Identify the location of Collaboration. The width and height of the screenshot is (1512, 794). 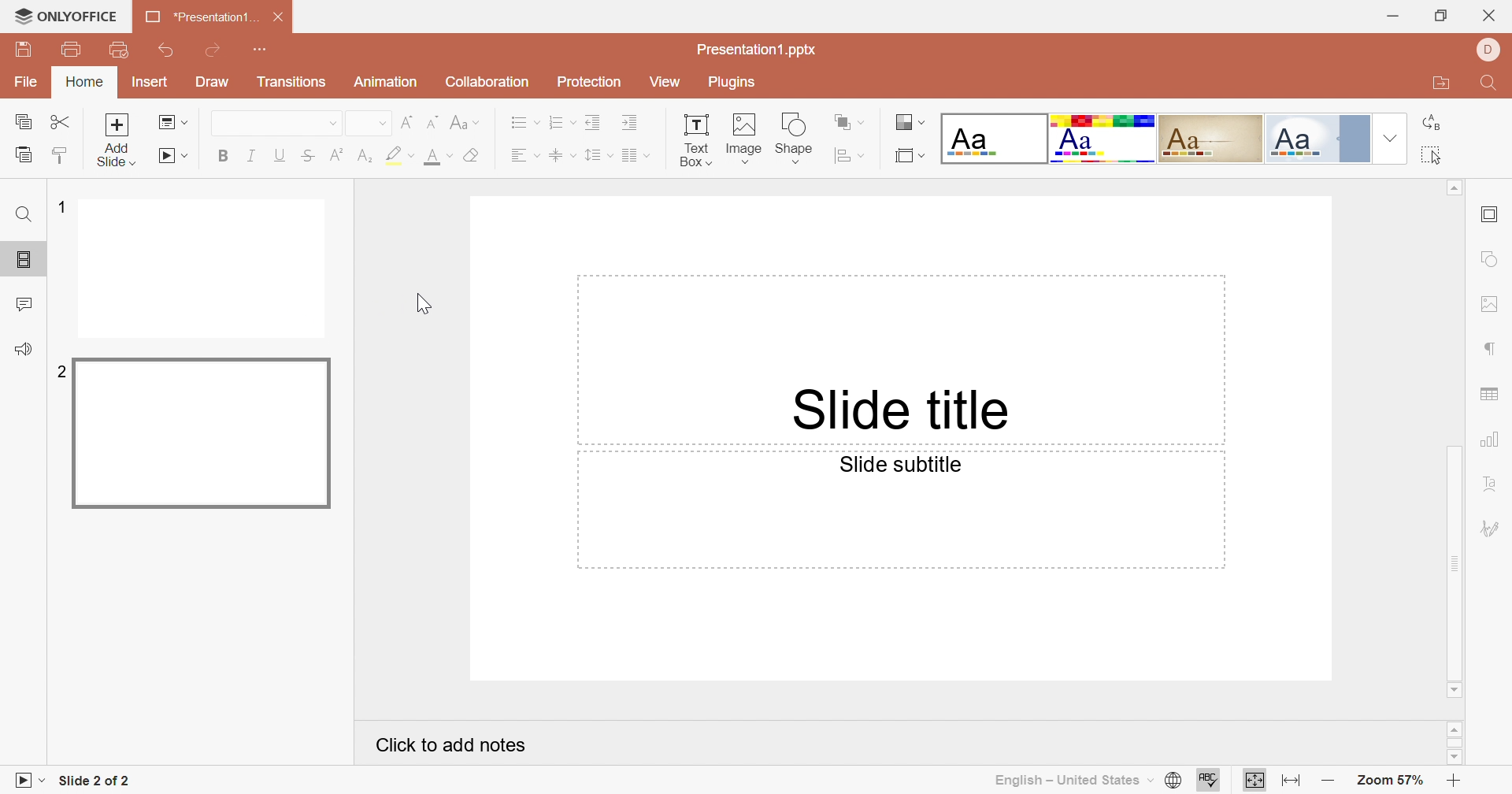
(489, 81).